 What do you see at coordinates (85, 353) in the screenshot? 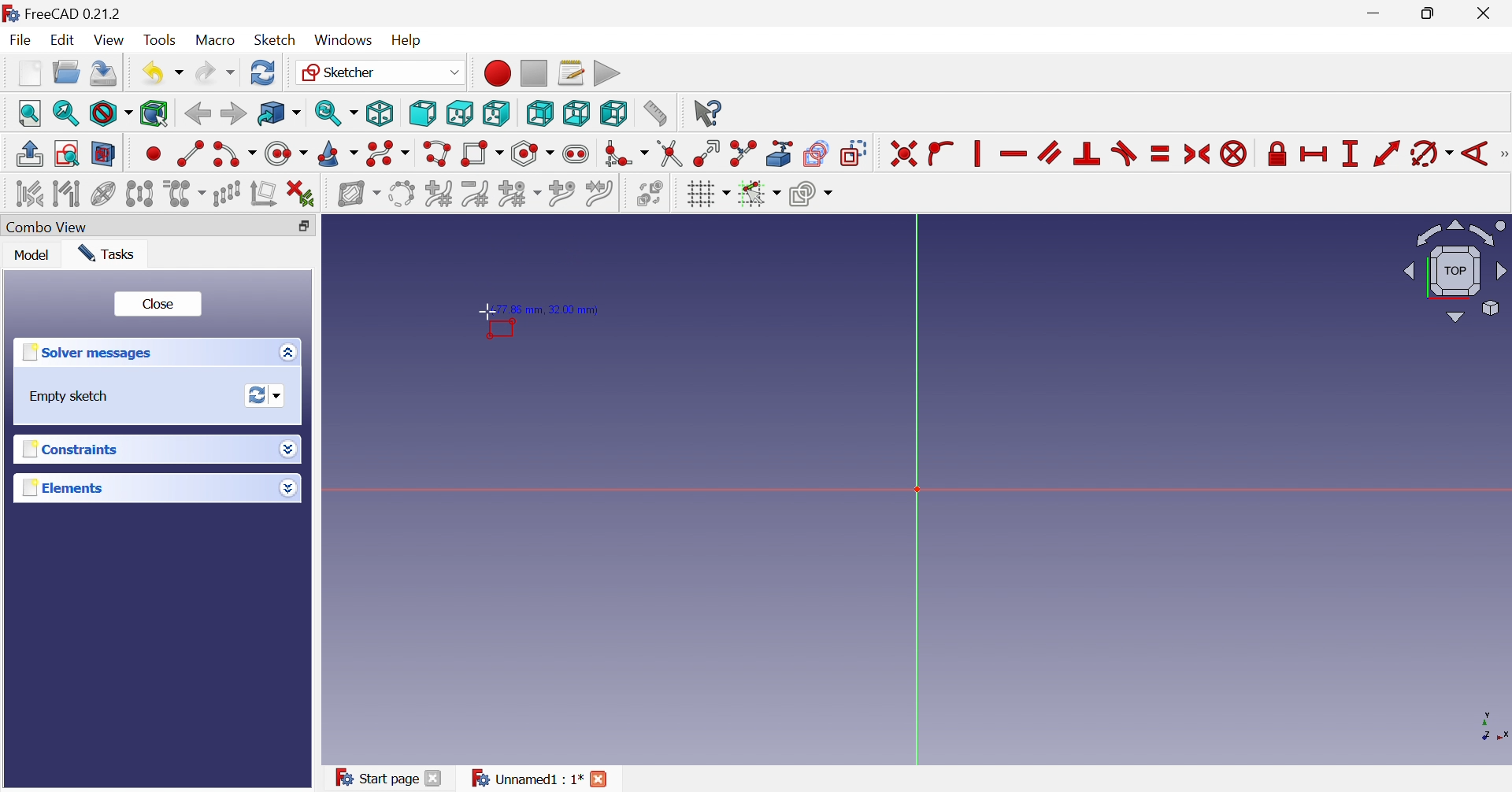
I see `Solver messages` at bounding box center [85, 353].